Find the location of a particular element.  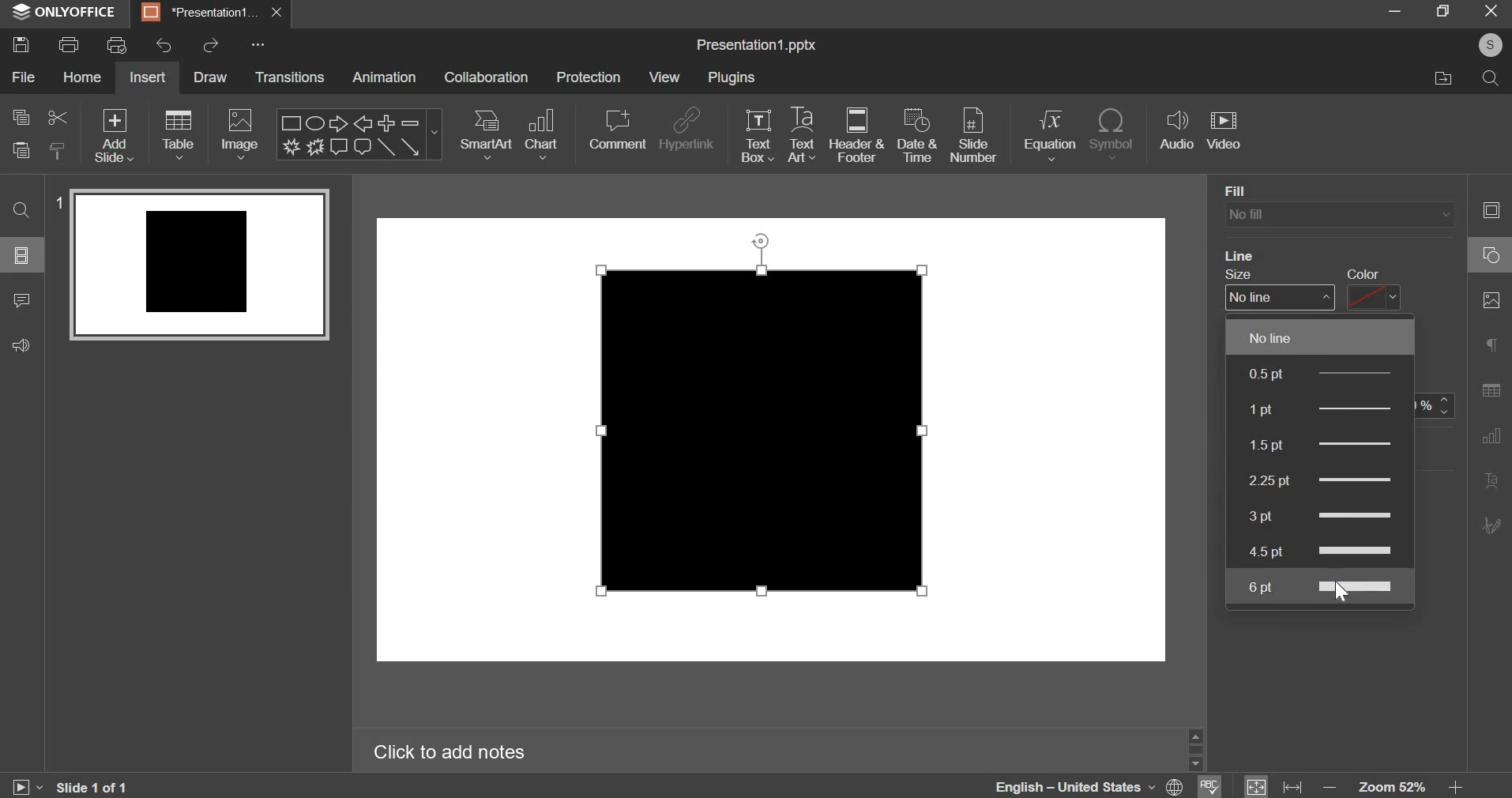

home is located at coordinates (81, 77).